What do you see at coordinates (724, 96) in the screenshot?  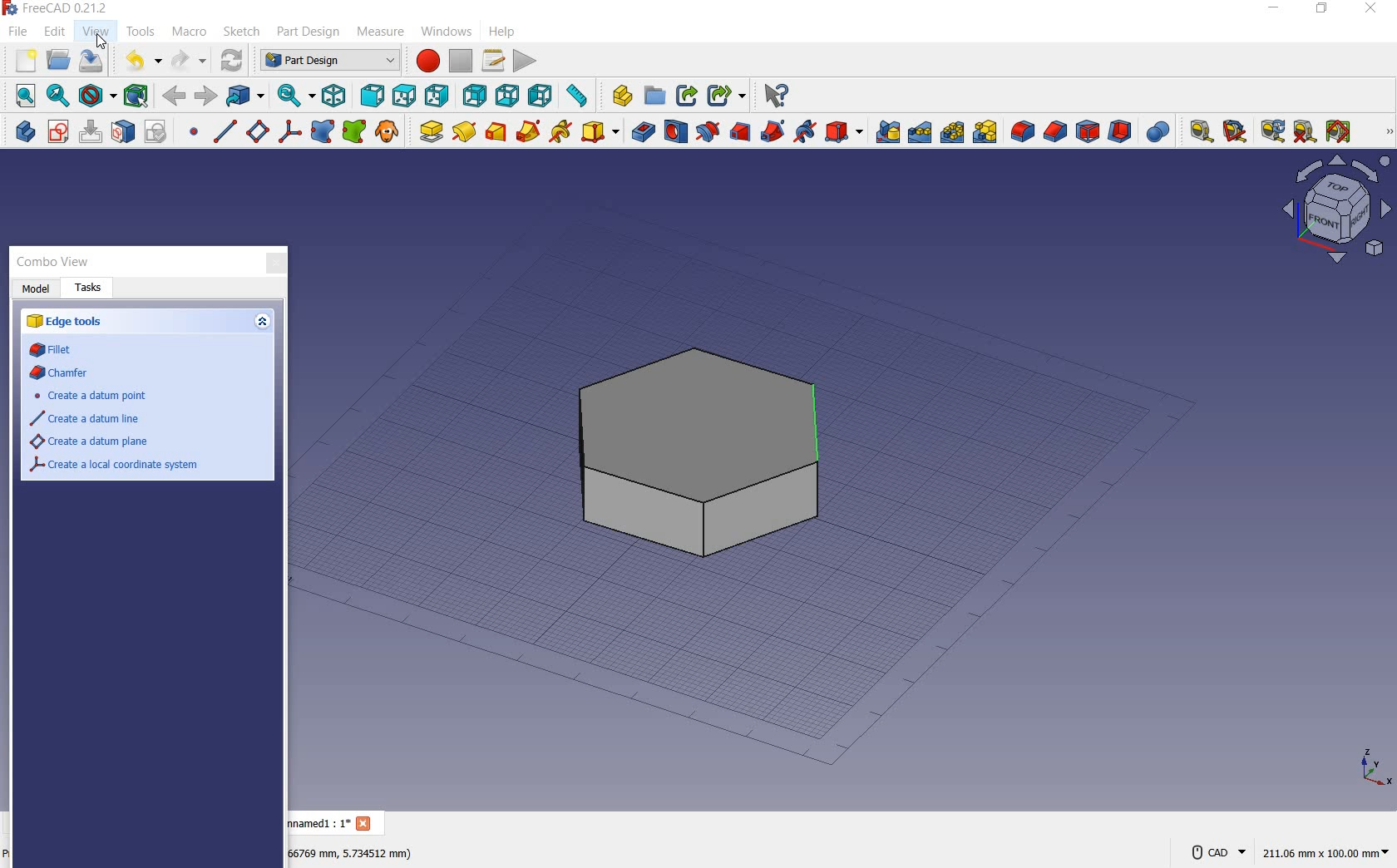 I see `make sub-link` at bounding box center [724, 96].